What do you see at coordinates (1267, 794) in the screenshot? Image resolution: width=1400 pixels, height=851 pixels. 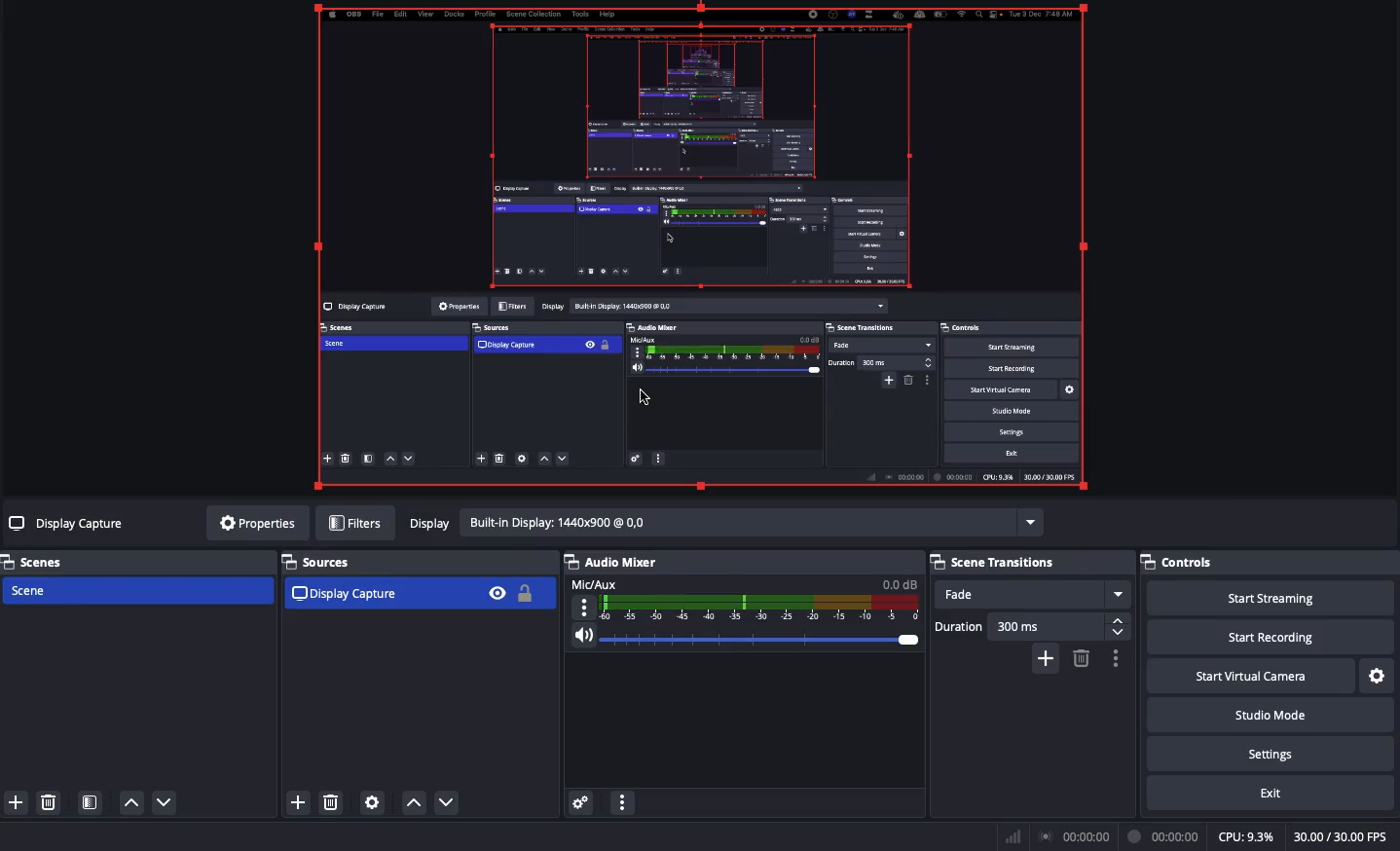 I see `Exit` at bounding box center [1267, 794].